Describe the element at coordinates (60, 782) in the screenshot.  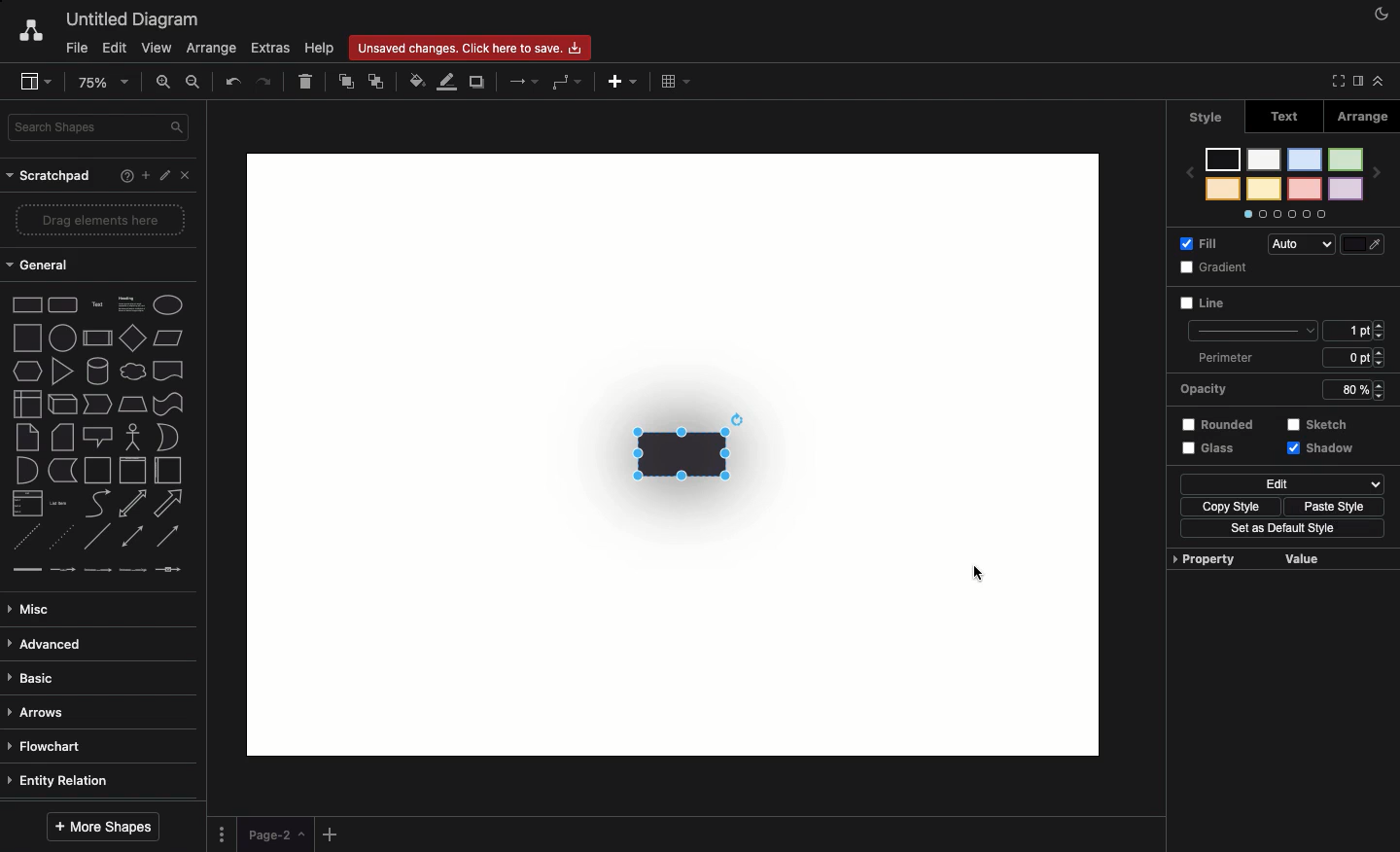
I see `Entity relation` at that location.